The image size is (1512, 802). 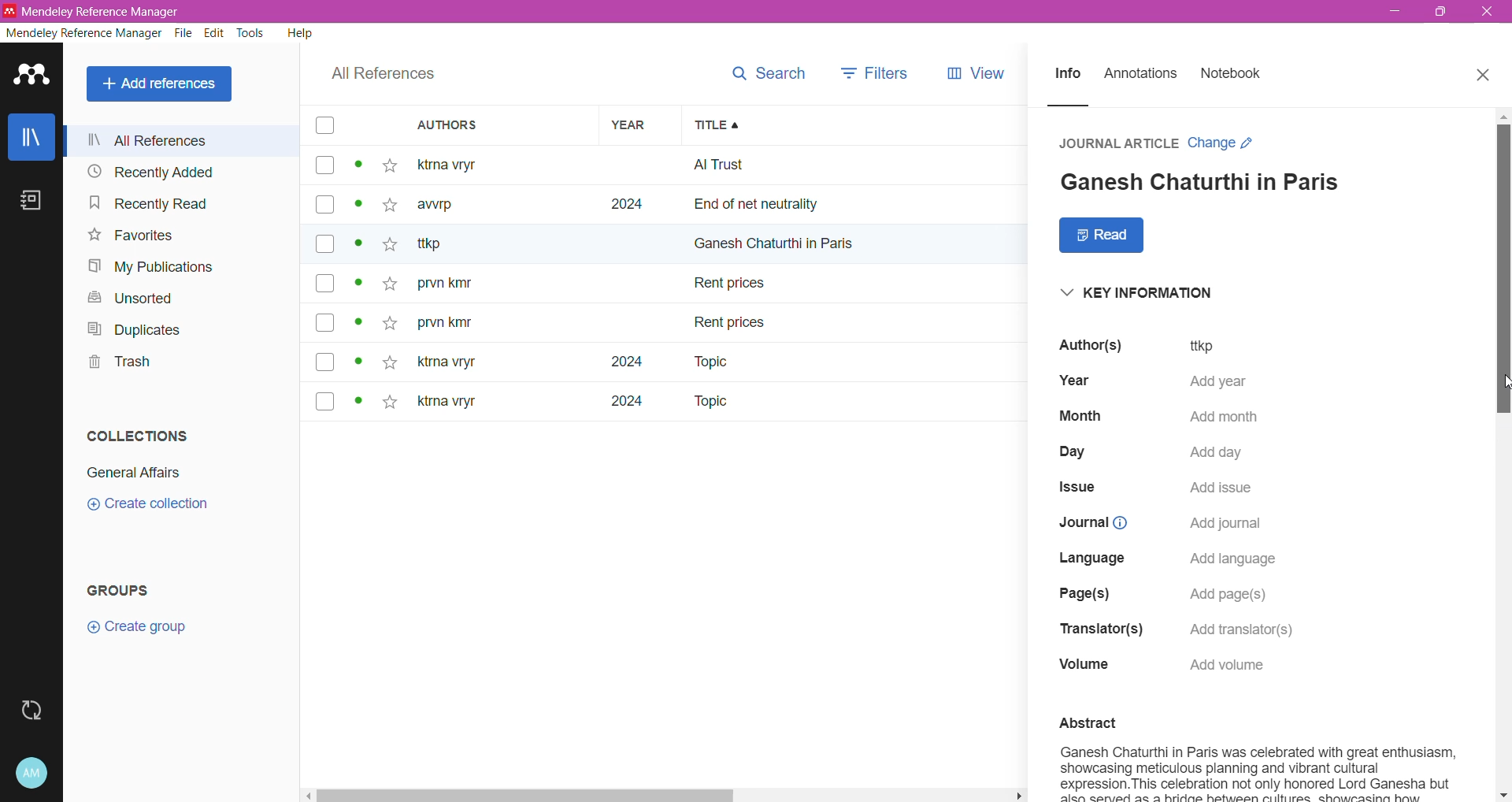 What do you see at coordinates (157, 268) in the screenshot?
I see `My Publications` at bounding box center [157, 268].